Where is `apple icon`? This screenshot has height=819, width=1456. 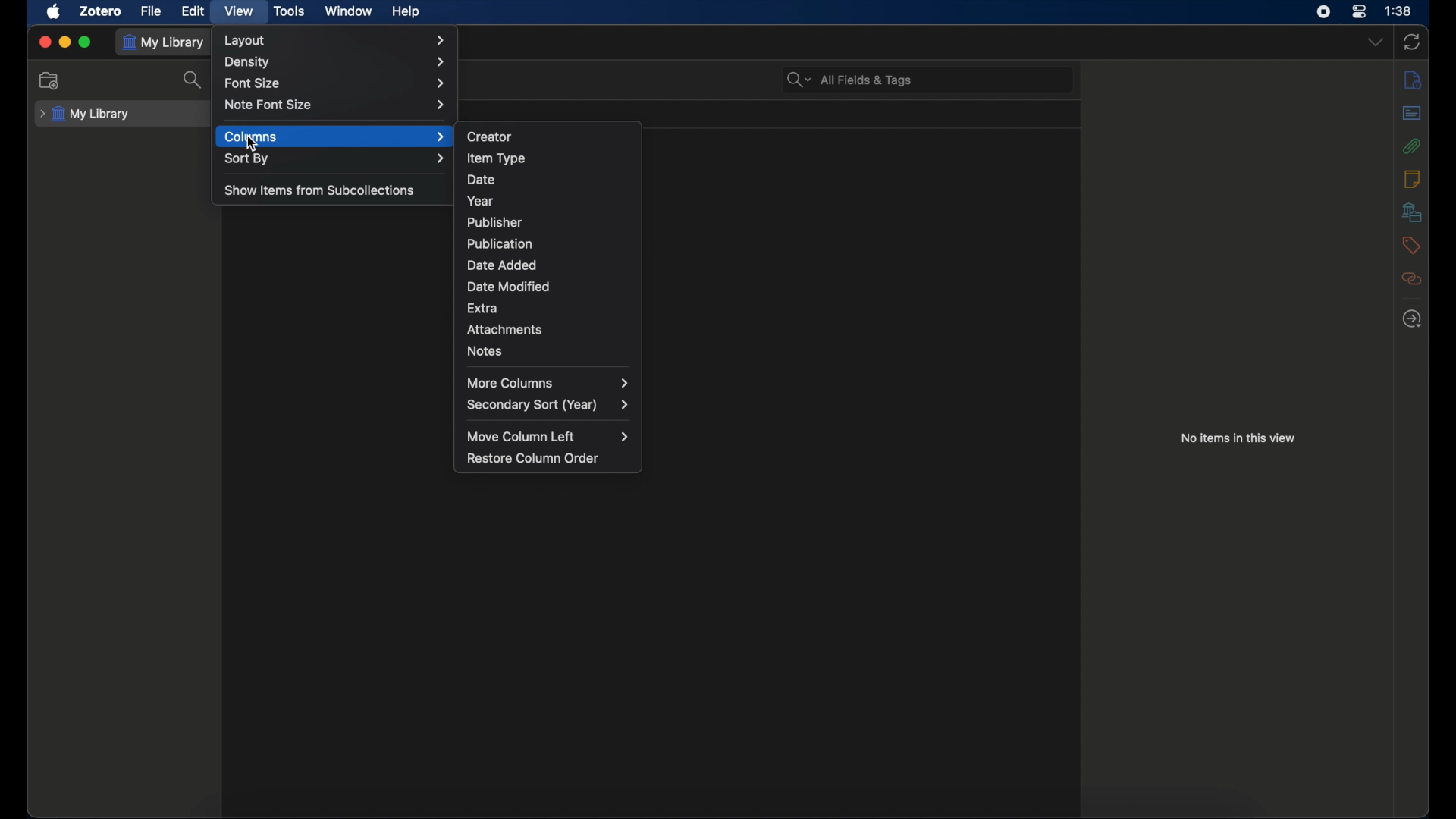 apple icon is located at coordinates (55, 12).